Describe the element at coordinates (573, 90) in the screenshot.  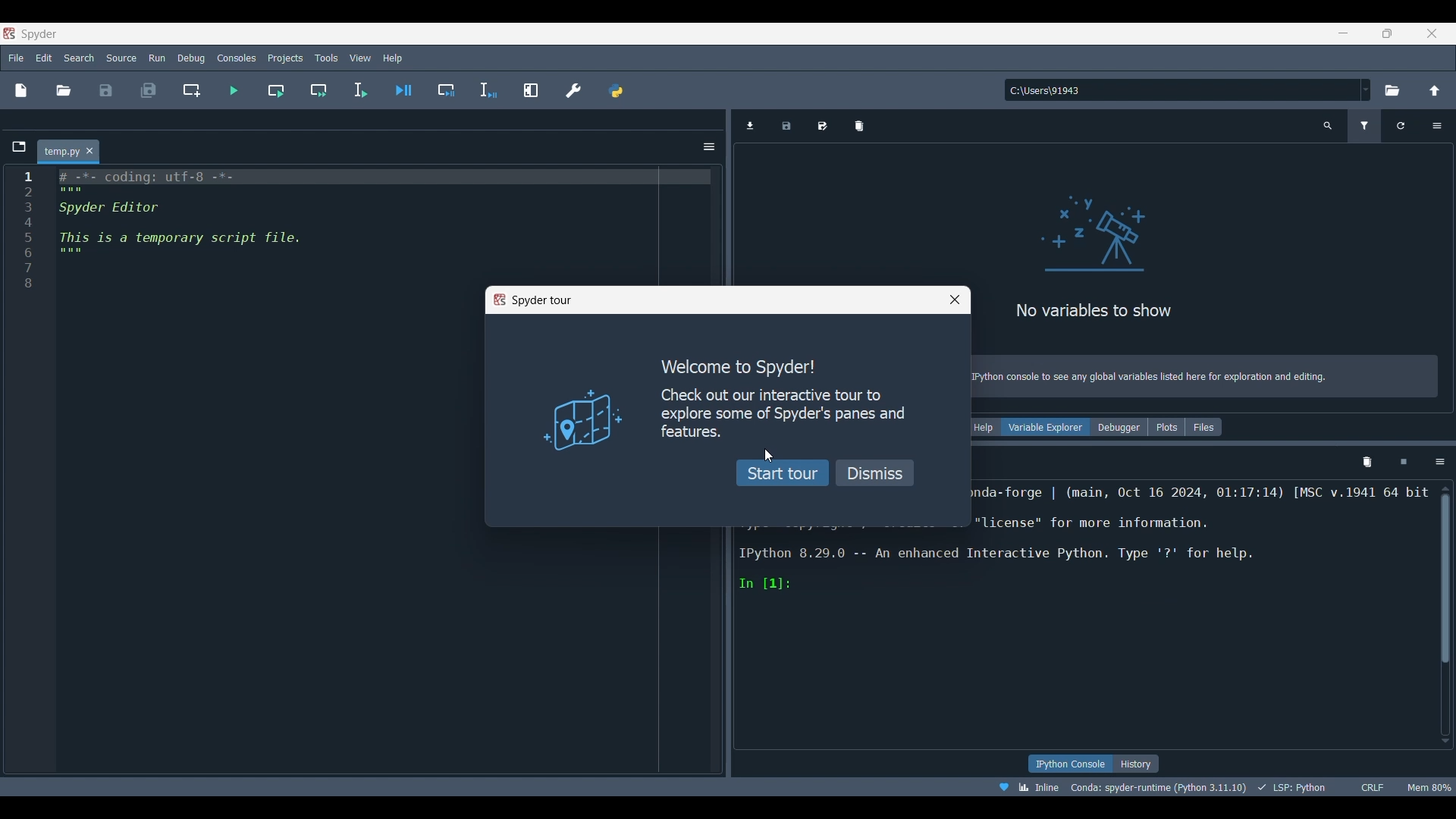
I see `Preferences` at that location.